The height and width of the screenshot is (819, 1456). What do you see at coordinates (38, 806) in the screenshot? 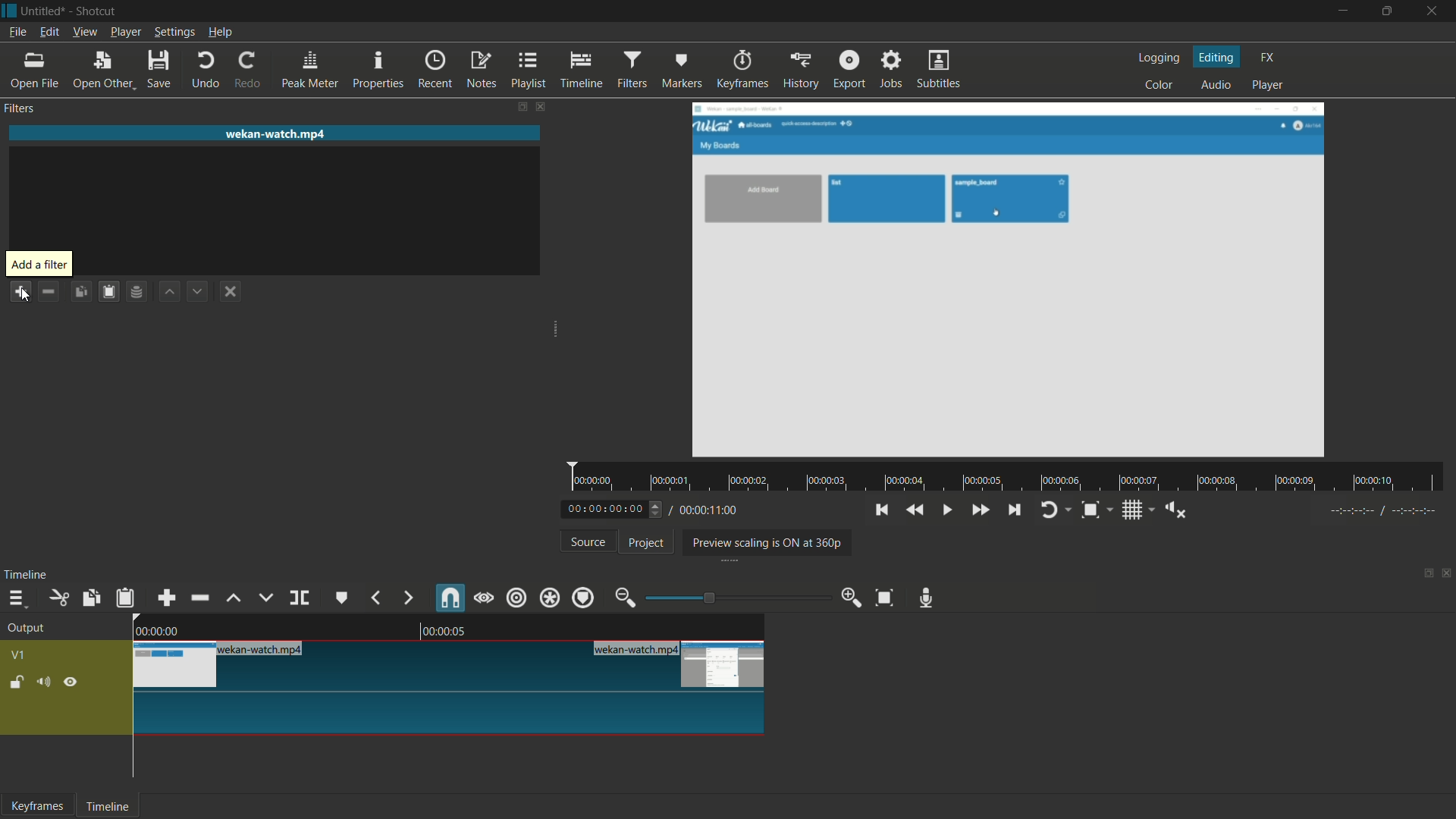
I see `keyframes` at bounding box center [38, 806].